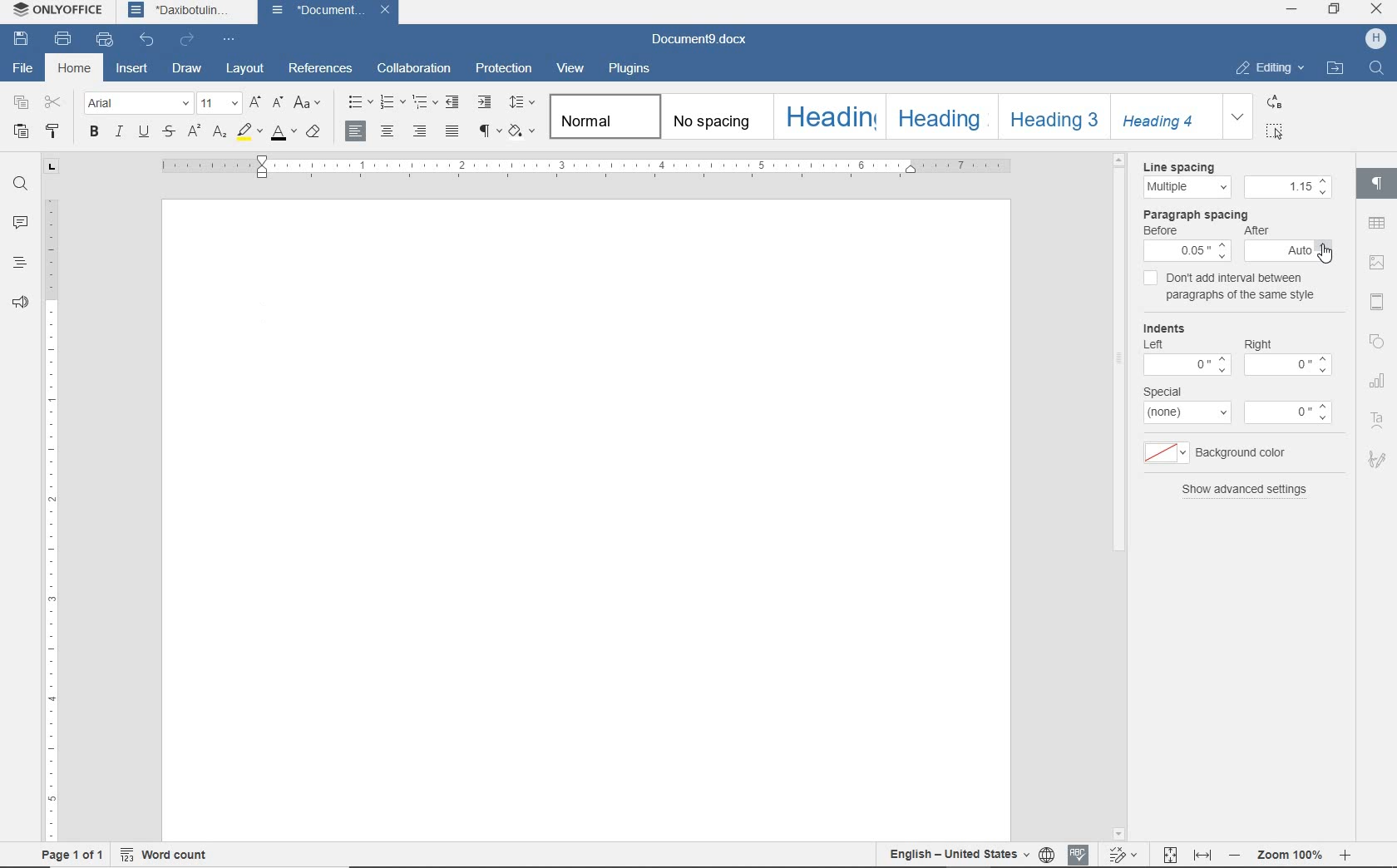 The image size is (1397, 868). I want to click on undo, so click(146, 40).